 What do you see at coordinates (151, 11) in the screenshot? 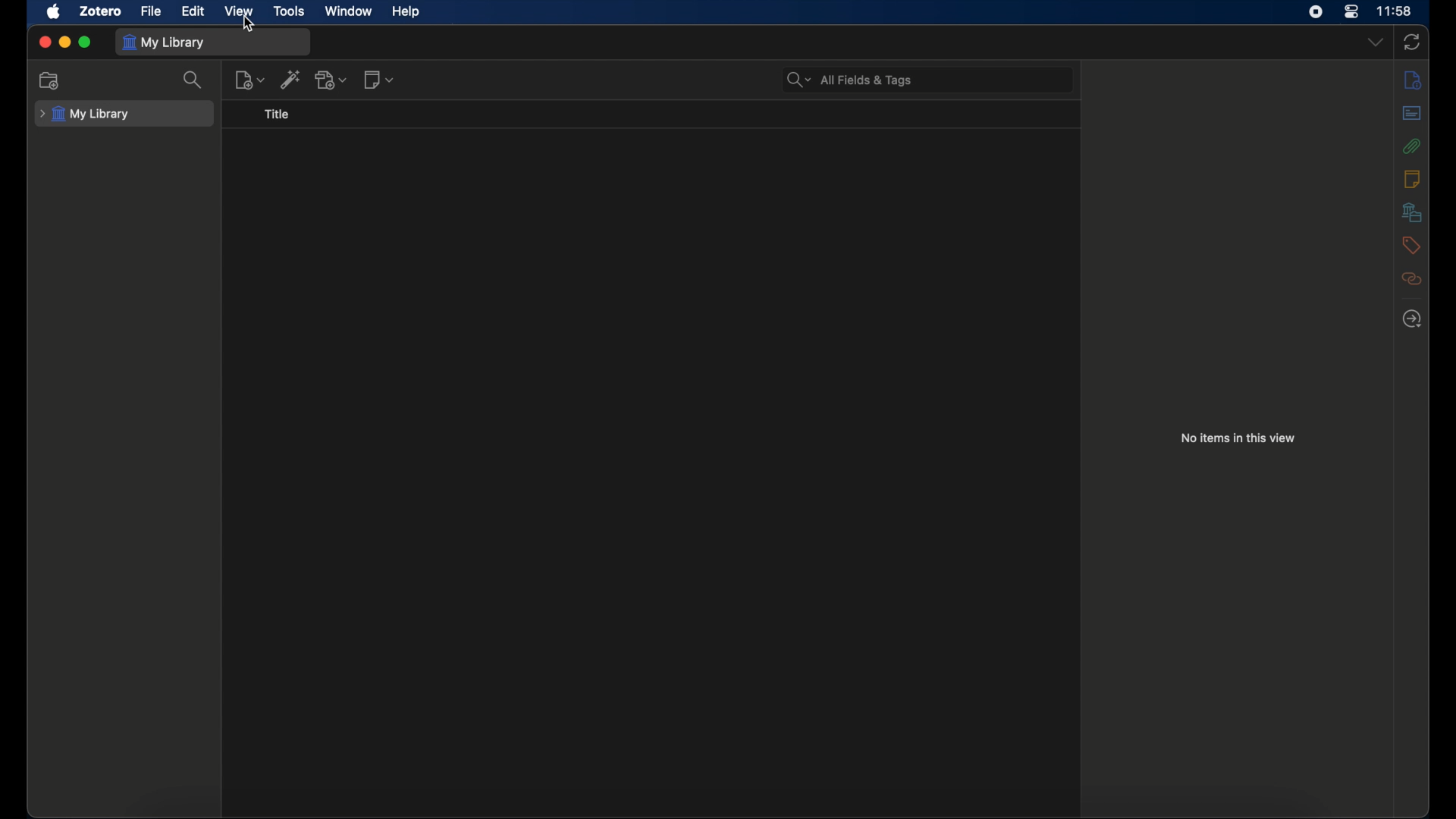
I see `file` at bounding box center [151, 11].